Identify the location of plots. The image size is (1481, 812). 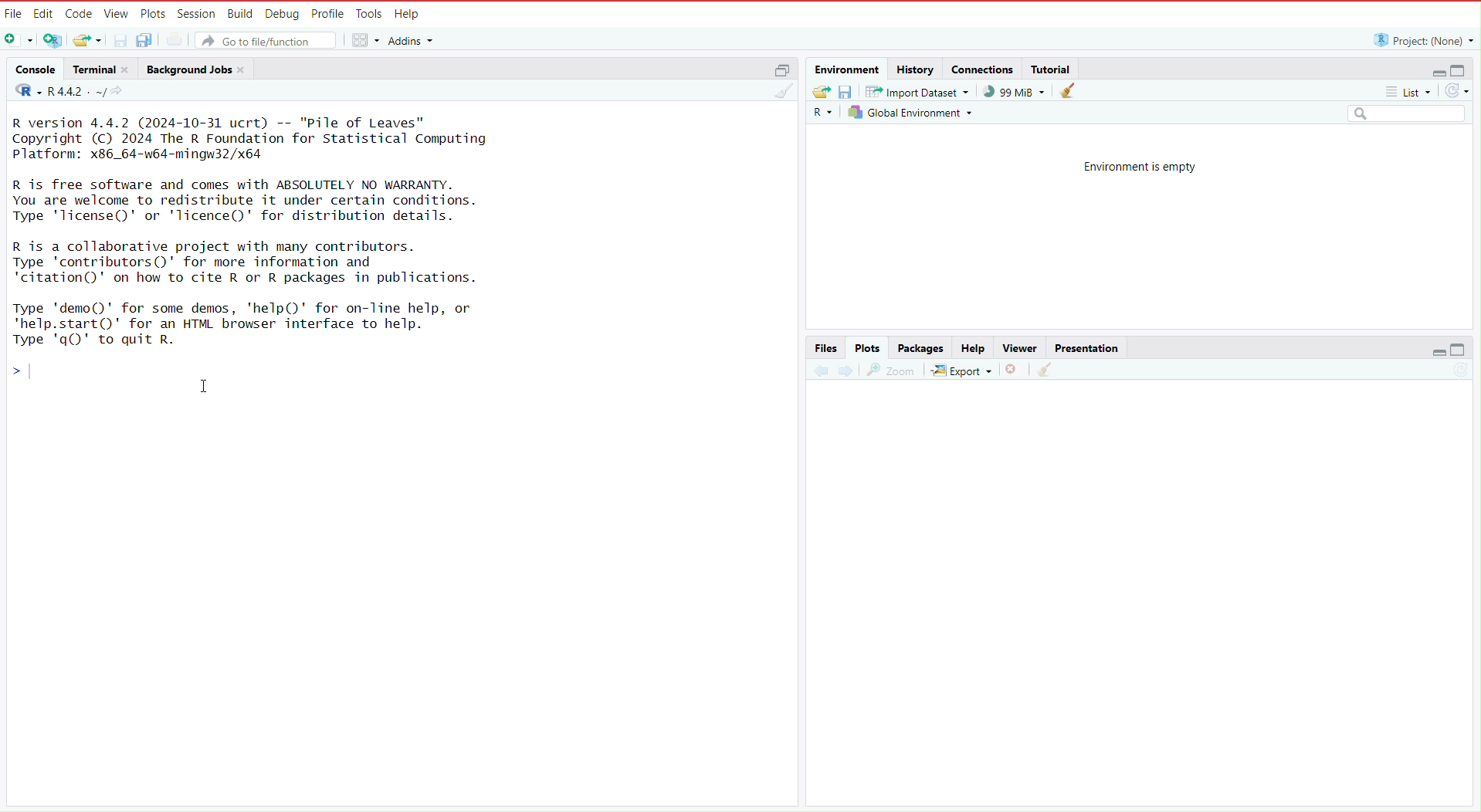
(154, 12).